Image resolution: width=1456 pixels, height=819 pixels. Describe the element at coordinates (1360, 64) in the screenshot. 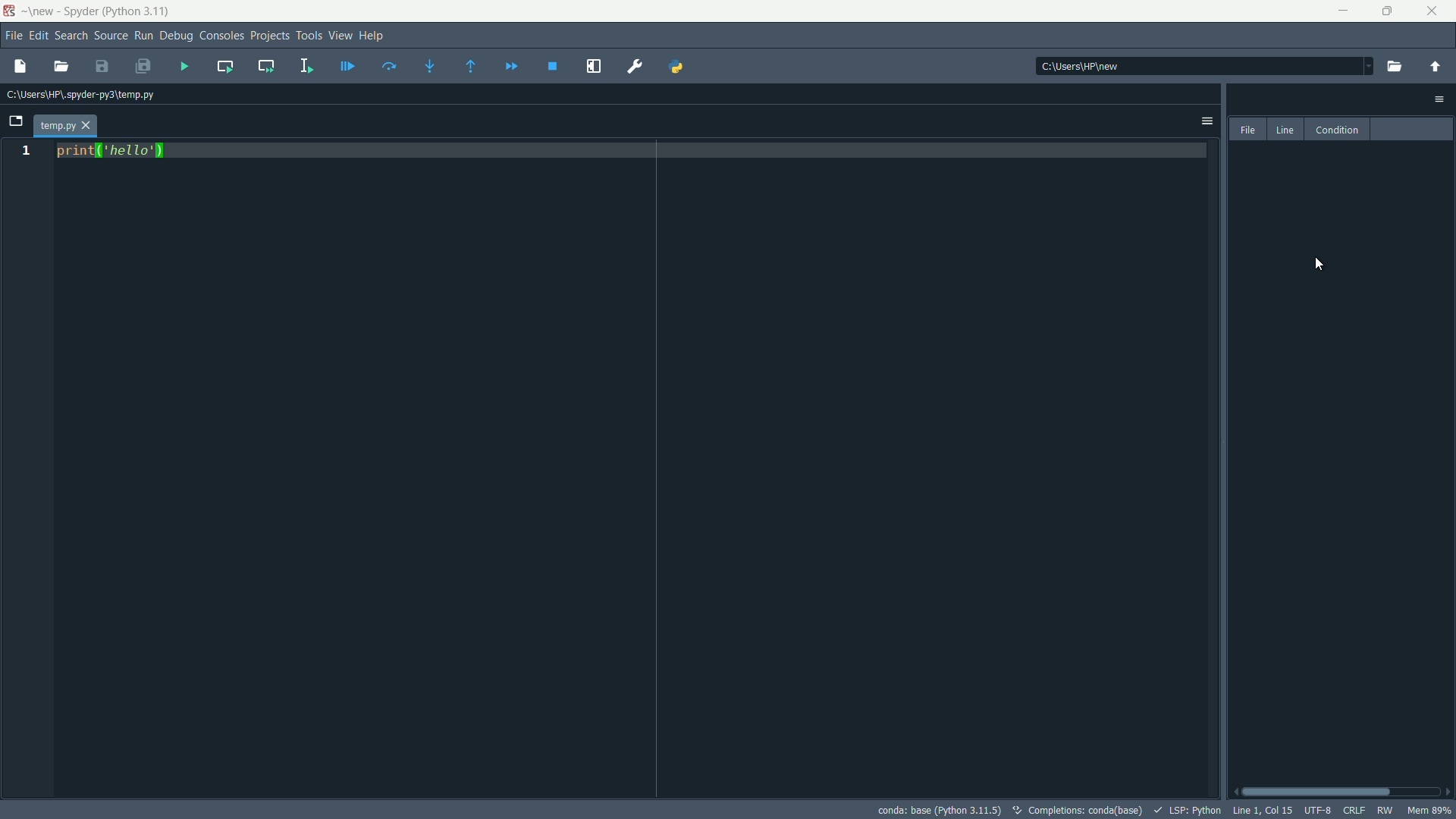

I see `dropdown icon` at that location.